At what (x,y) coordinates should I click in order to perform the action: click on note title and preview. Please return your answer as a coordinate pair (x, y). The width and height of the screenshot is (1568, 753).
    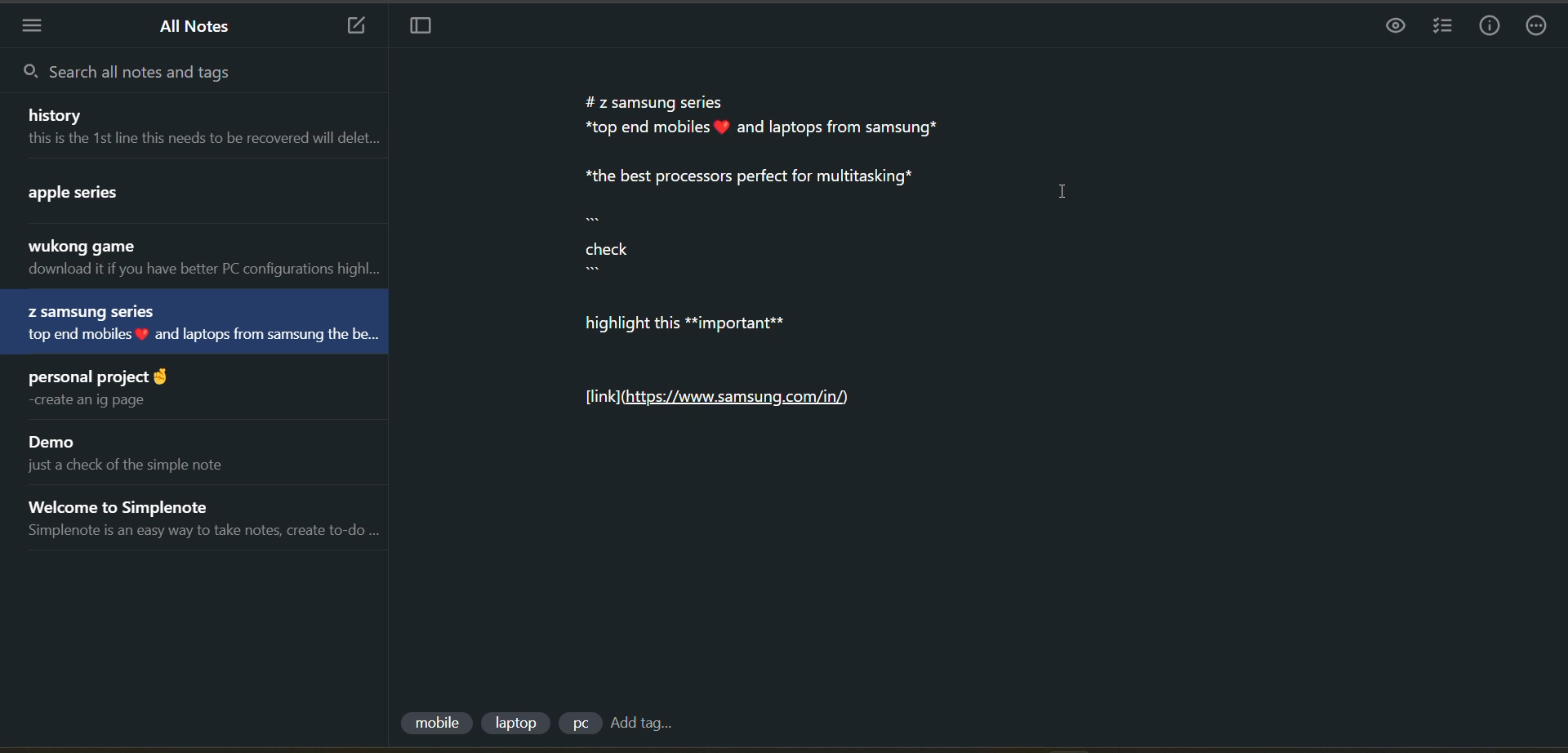
    Looking at the image, I should click on (106, 390).